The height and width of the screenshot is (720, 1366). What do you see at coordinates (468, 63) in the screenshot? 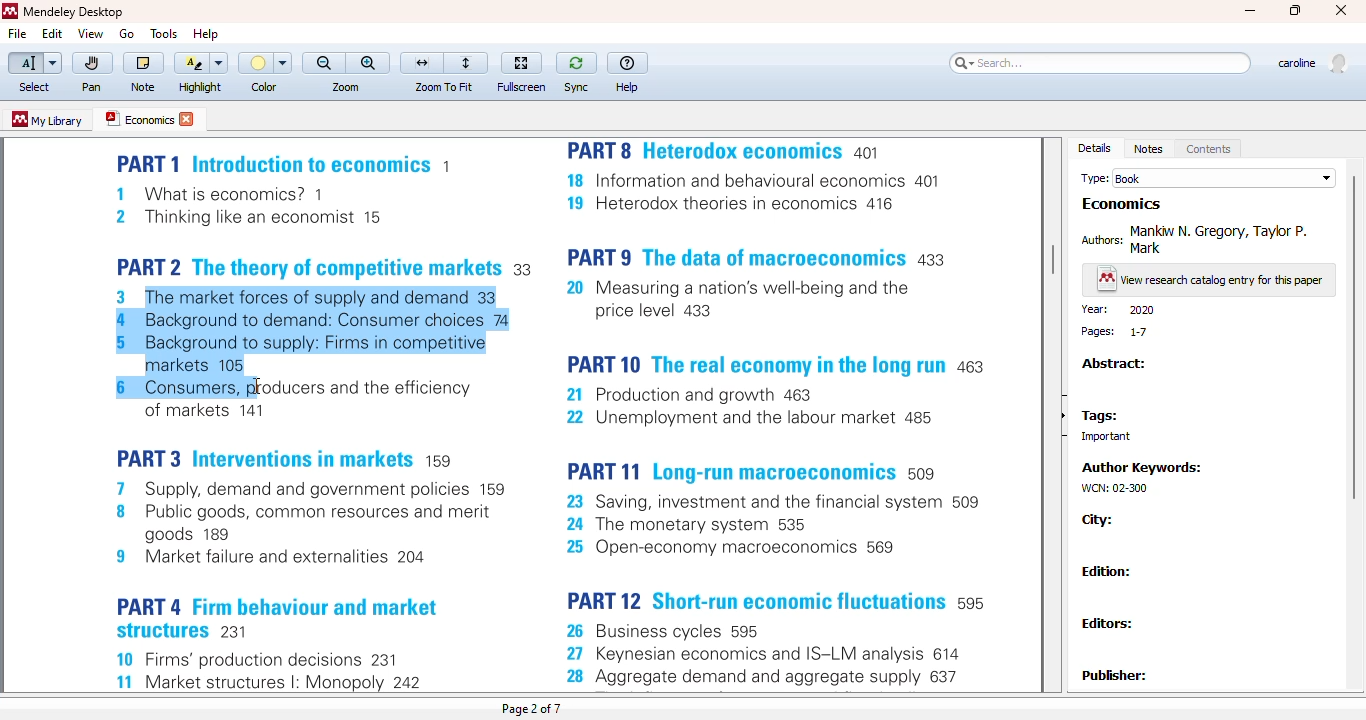
I see `fit to page` at bounding box center [468, 63].